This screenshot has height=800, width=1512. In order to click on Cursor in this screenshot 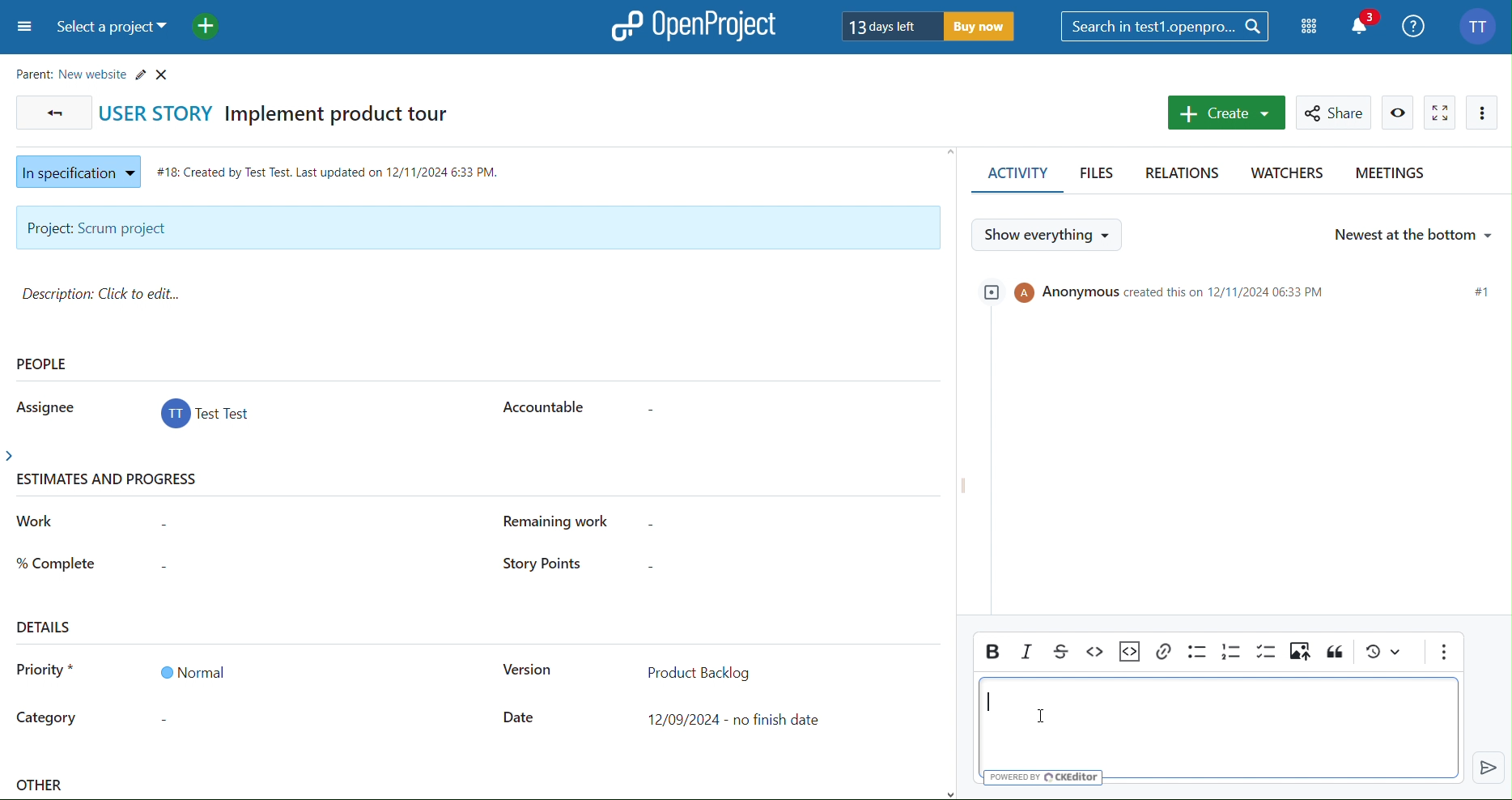, I will do `click(1044, 713)`.